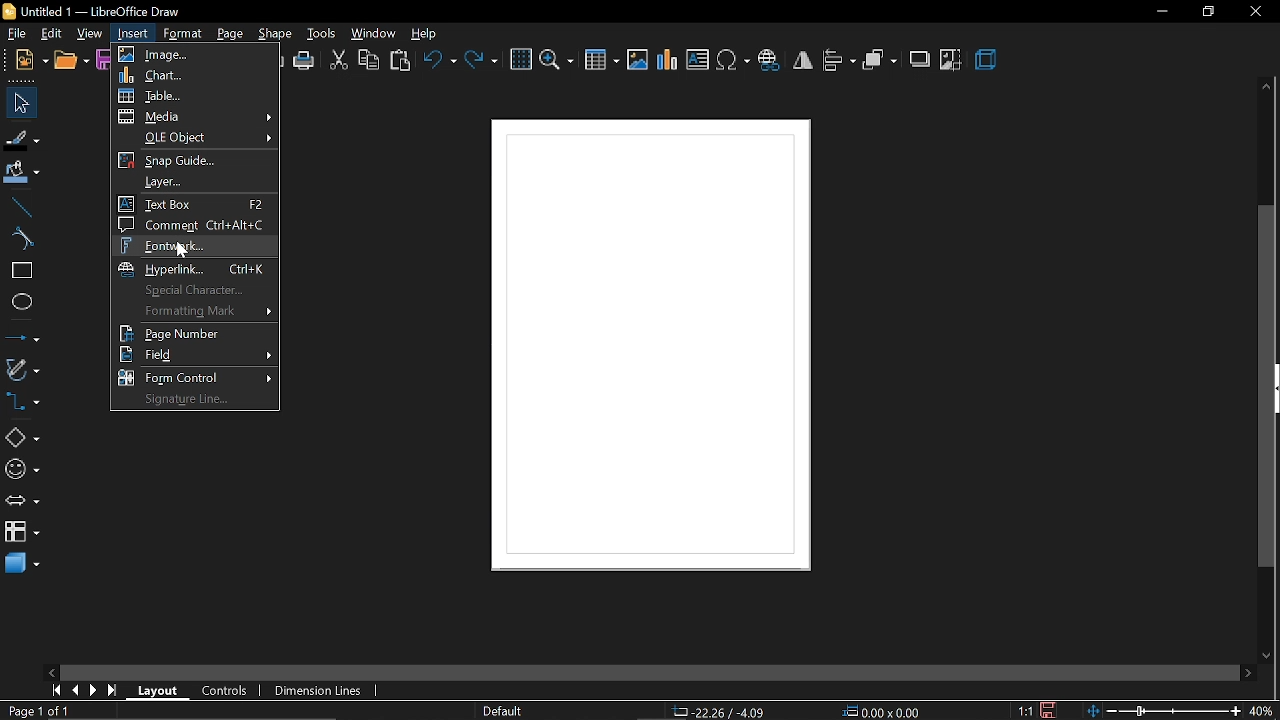 The width and height of the screenshot is (1280, 720). Describe the element at coordinates (886, 712) in the screenshot. I see `0.00x0.00` at that location.